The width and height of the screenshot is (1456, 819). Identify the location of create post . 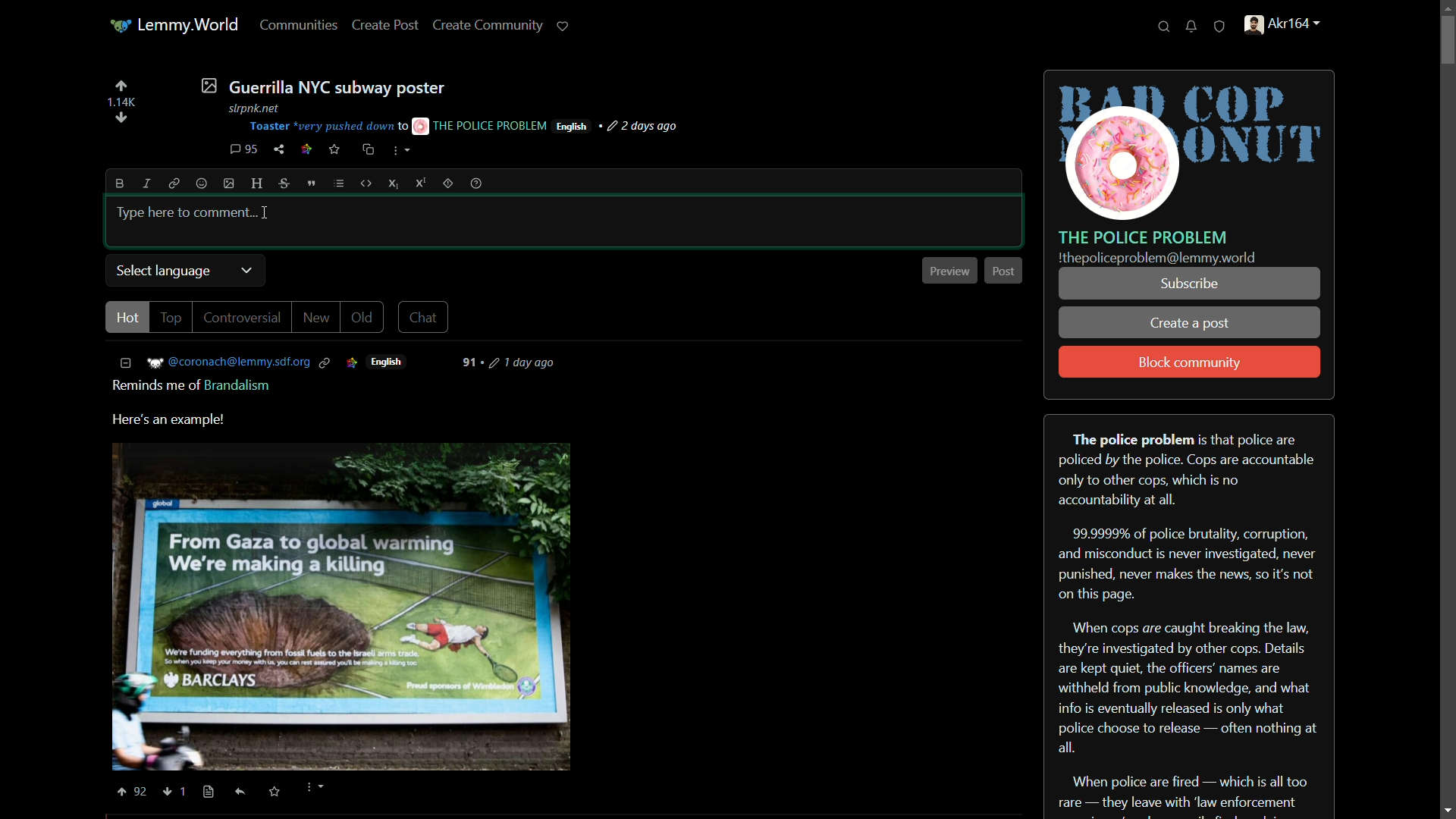
(386, 26).